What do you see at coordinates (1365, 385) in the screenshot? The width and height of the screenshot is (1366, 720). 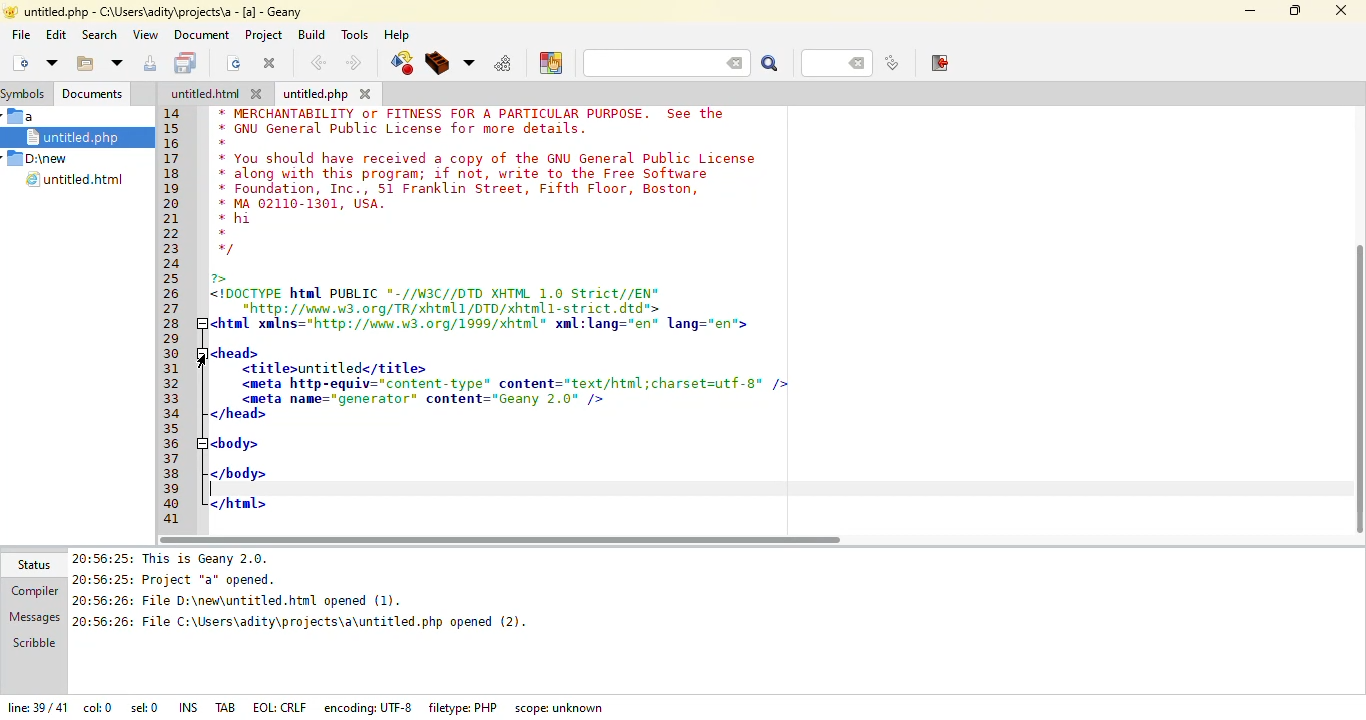 I see `vertical scroll bar` at bounding box center [1365, 385].